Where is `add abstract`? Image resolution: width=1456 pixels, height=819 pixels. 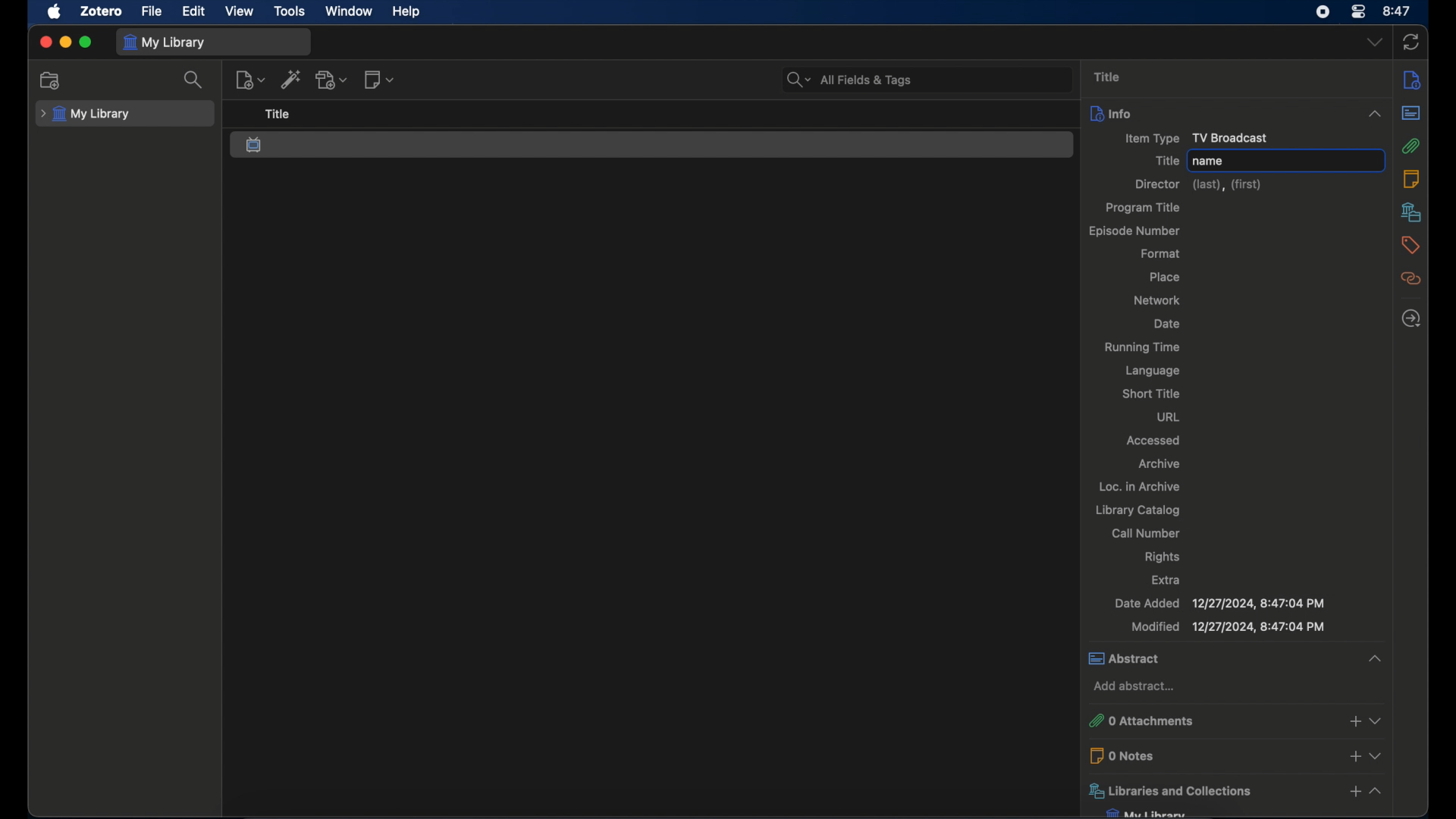 add abstract is located at coordinates (1134, 687).